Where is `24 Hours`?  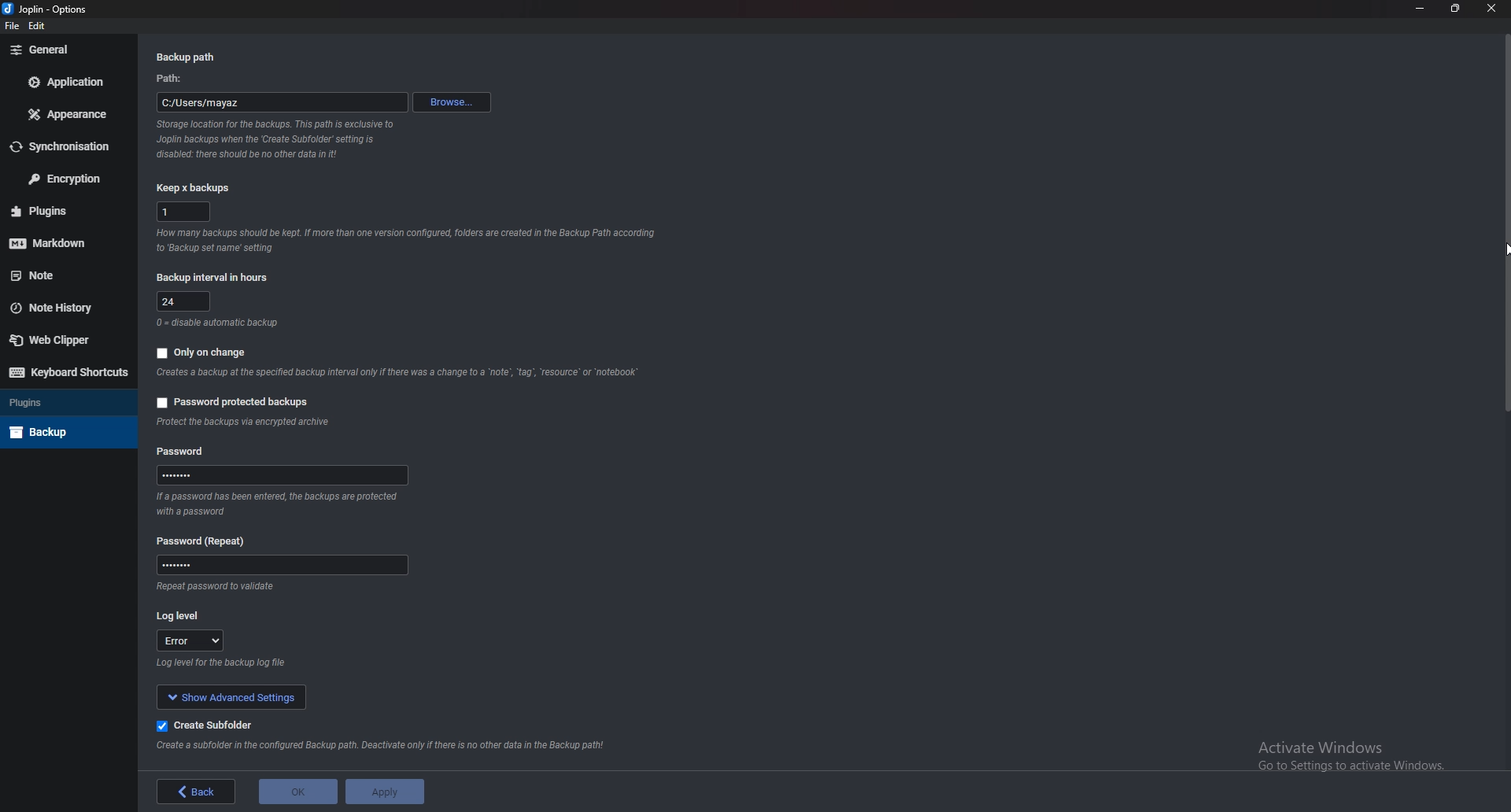
24 Hours is located at coordinates (185, 301).